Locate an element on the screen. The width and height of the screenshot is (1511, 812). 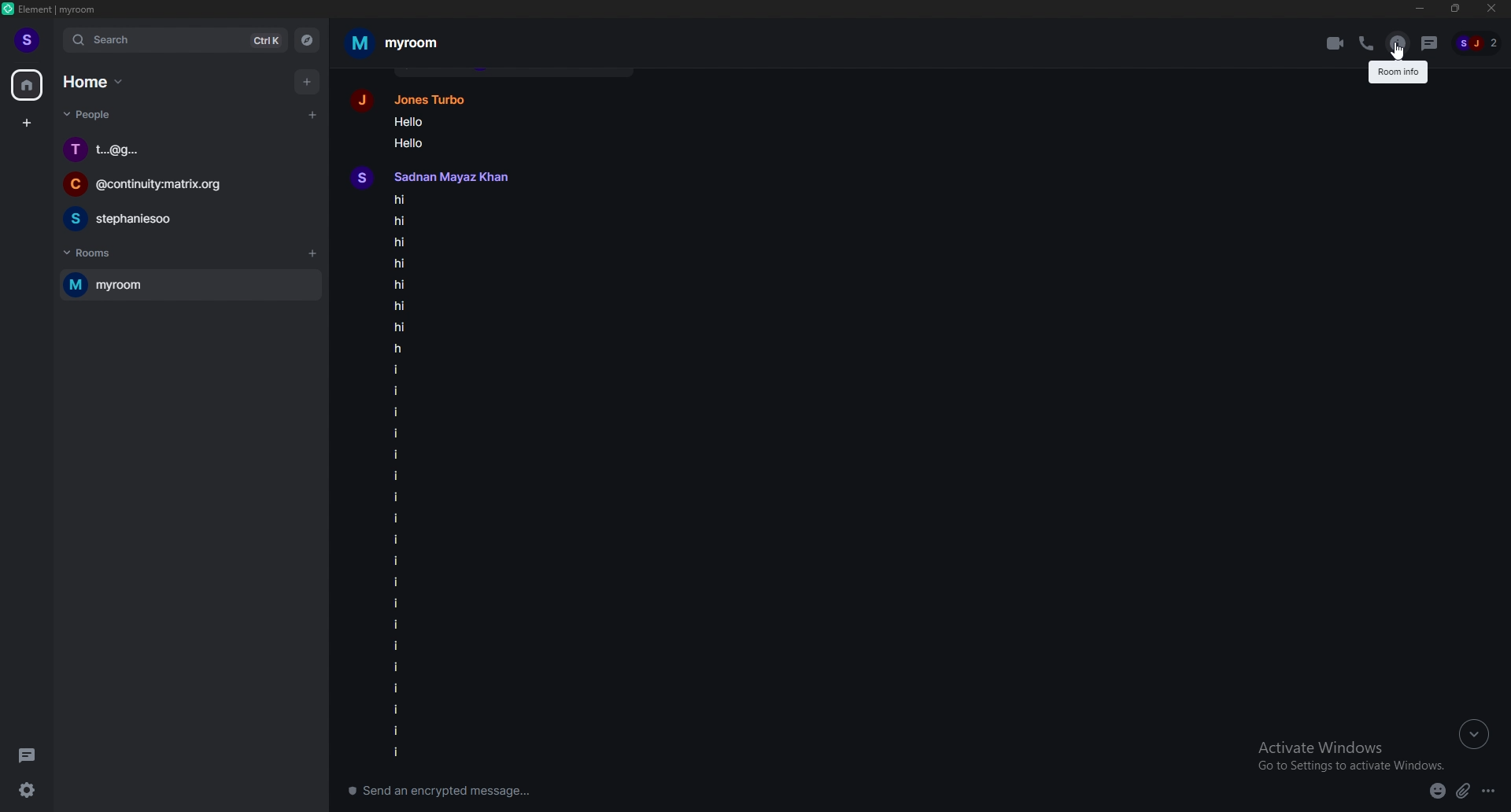
rooms is located at coordinates (98, 254).